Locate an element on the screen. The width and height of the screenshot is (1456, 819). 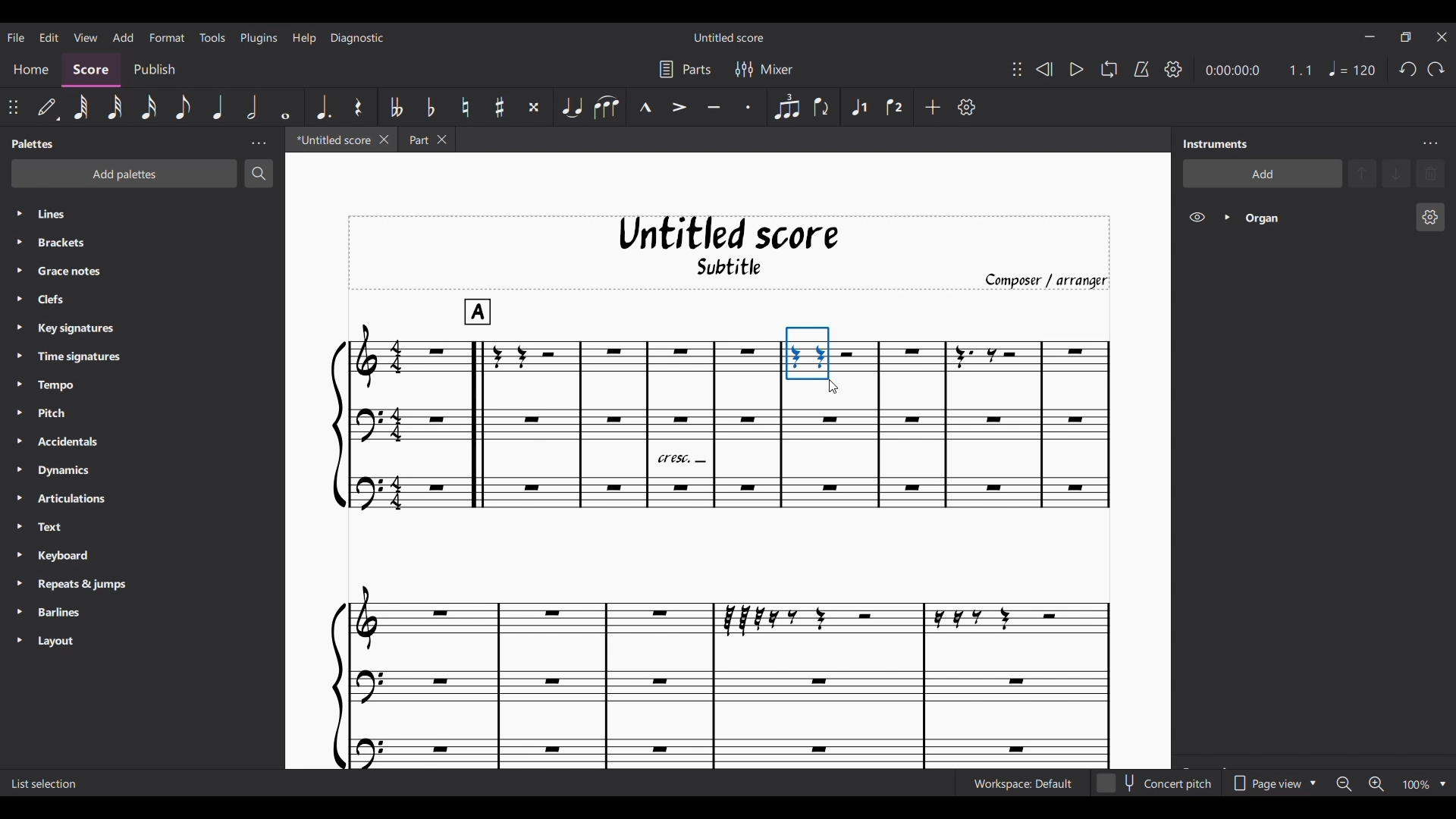
Whole note is located at coordinates (284, 107).